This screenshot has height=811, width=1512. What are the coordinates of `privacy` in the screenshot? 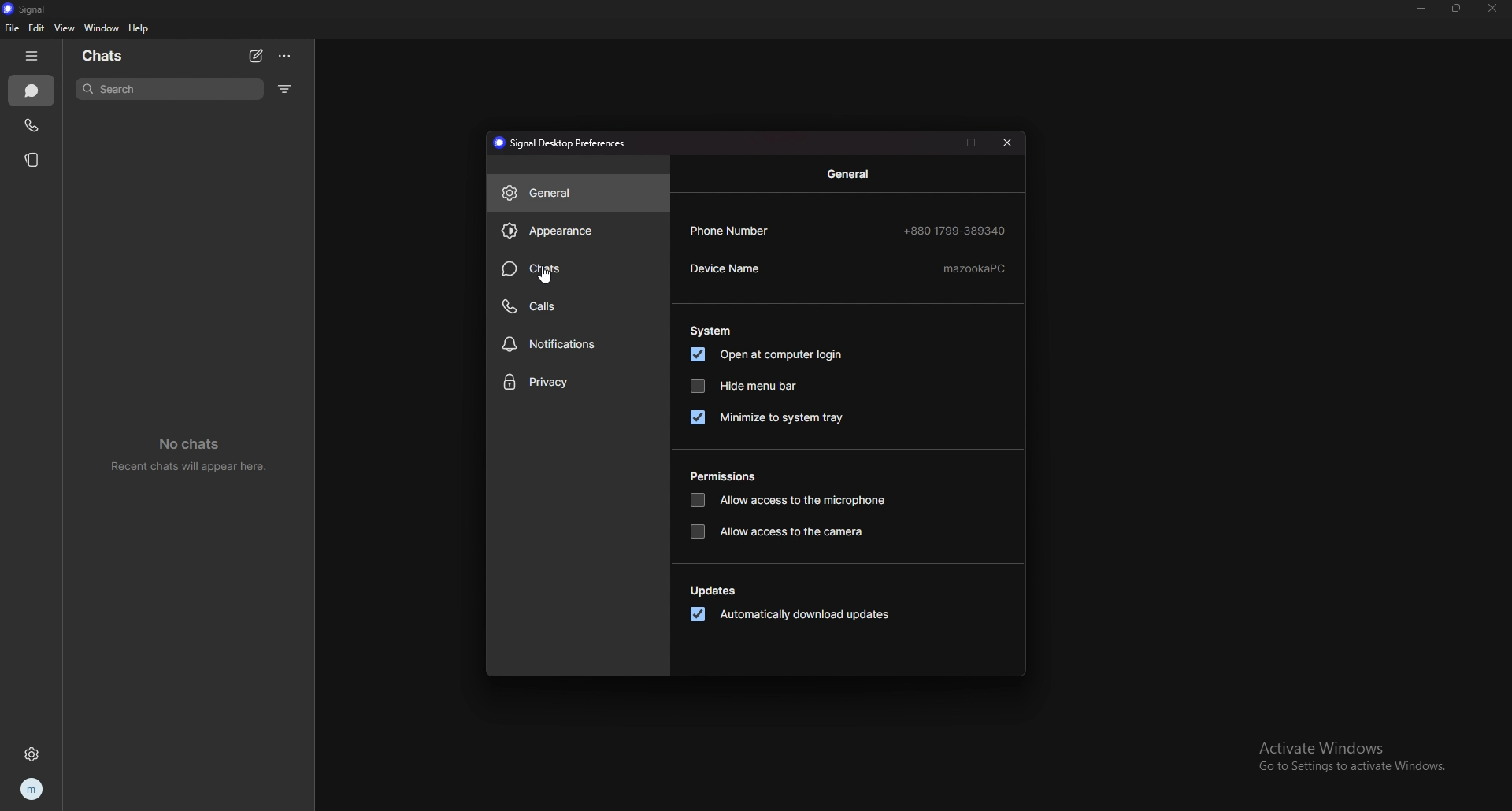 It's located at (577, 383).